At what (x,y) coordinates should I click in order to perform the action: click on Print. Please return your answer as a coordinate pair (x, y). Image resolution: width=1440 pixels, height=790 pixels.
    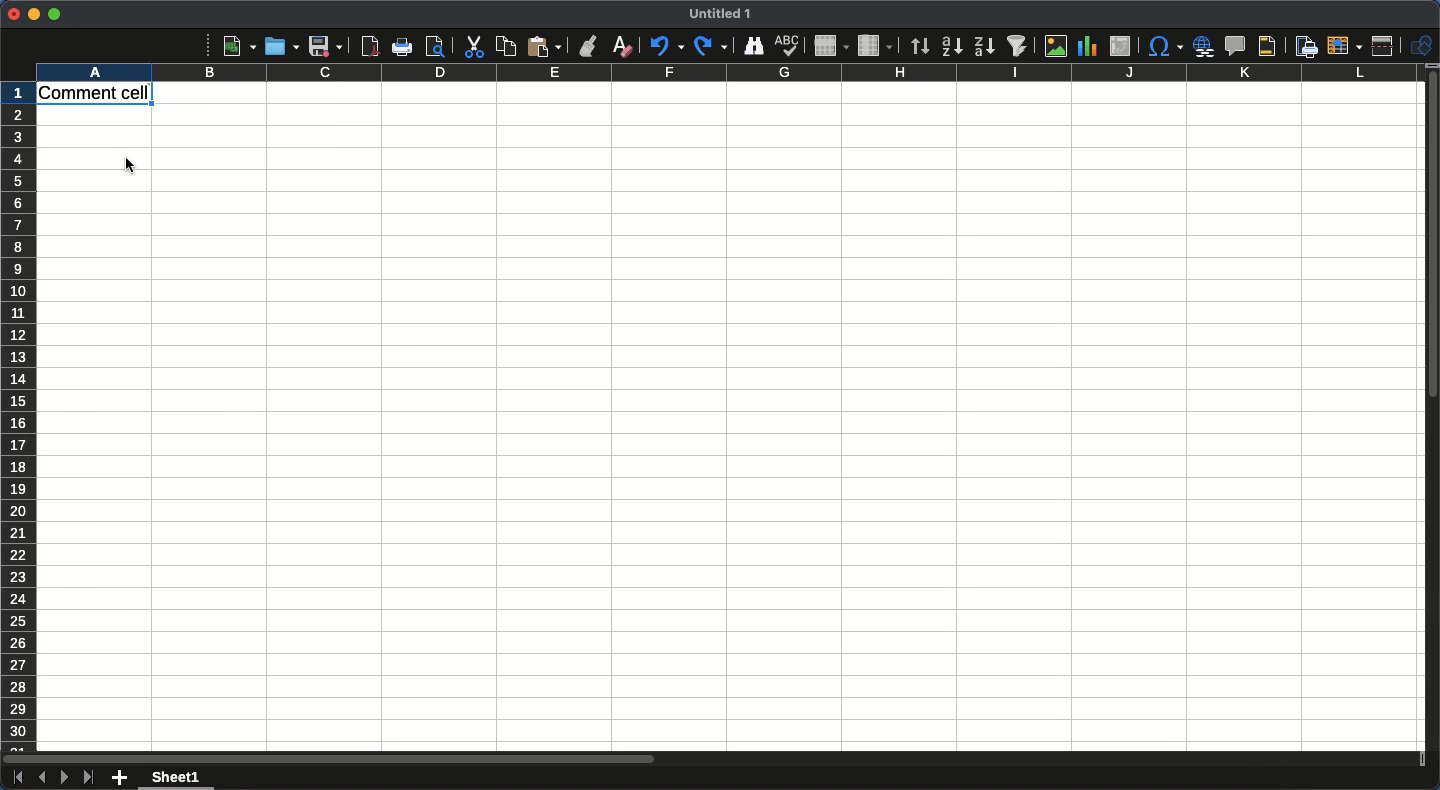
    Looking at the image, I should click on (402, 46).